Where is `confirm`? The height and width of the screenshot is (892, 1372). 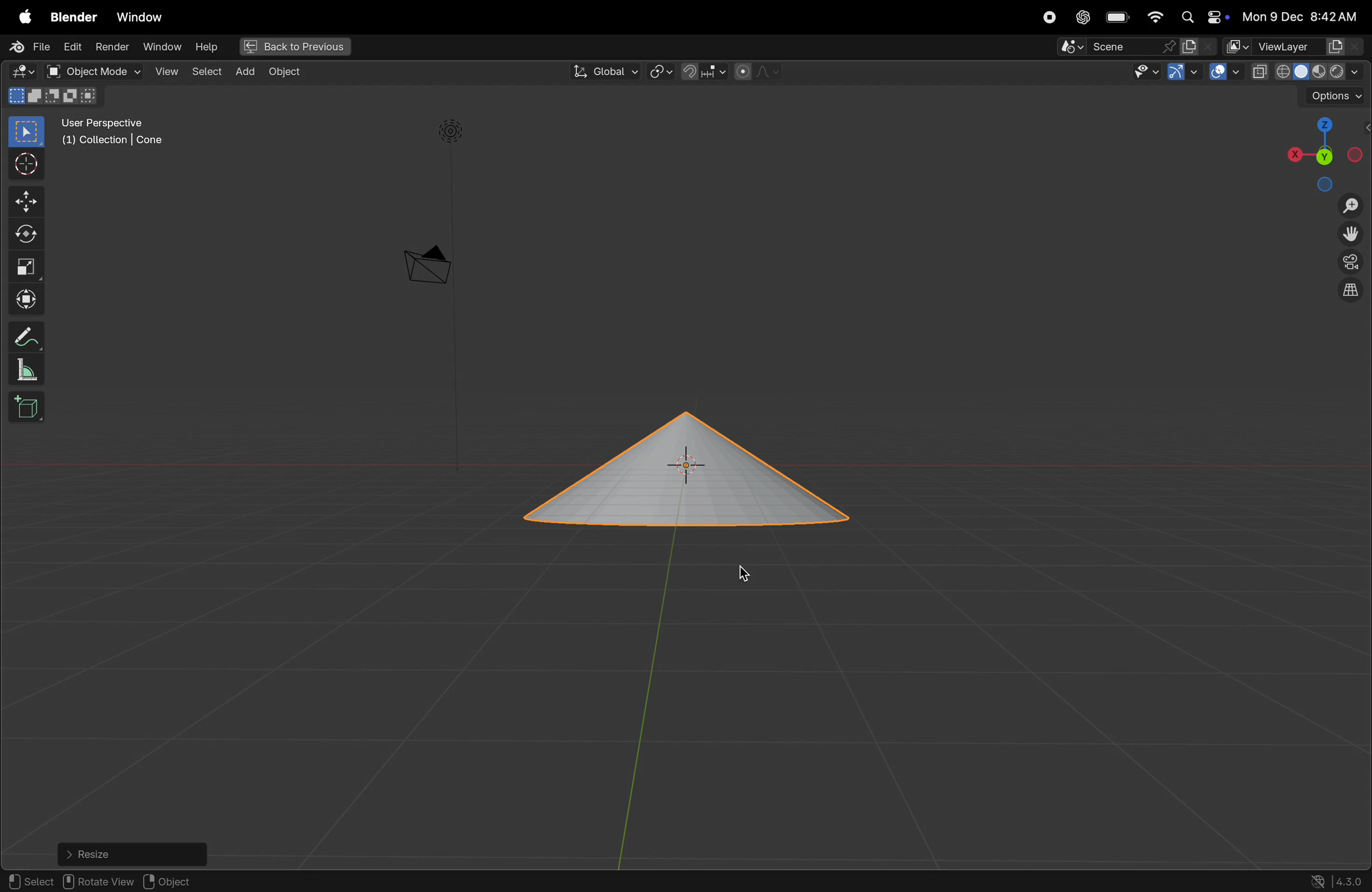
confirm is located at coordinates (33, 882).